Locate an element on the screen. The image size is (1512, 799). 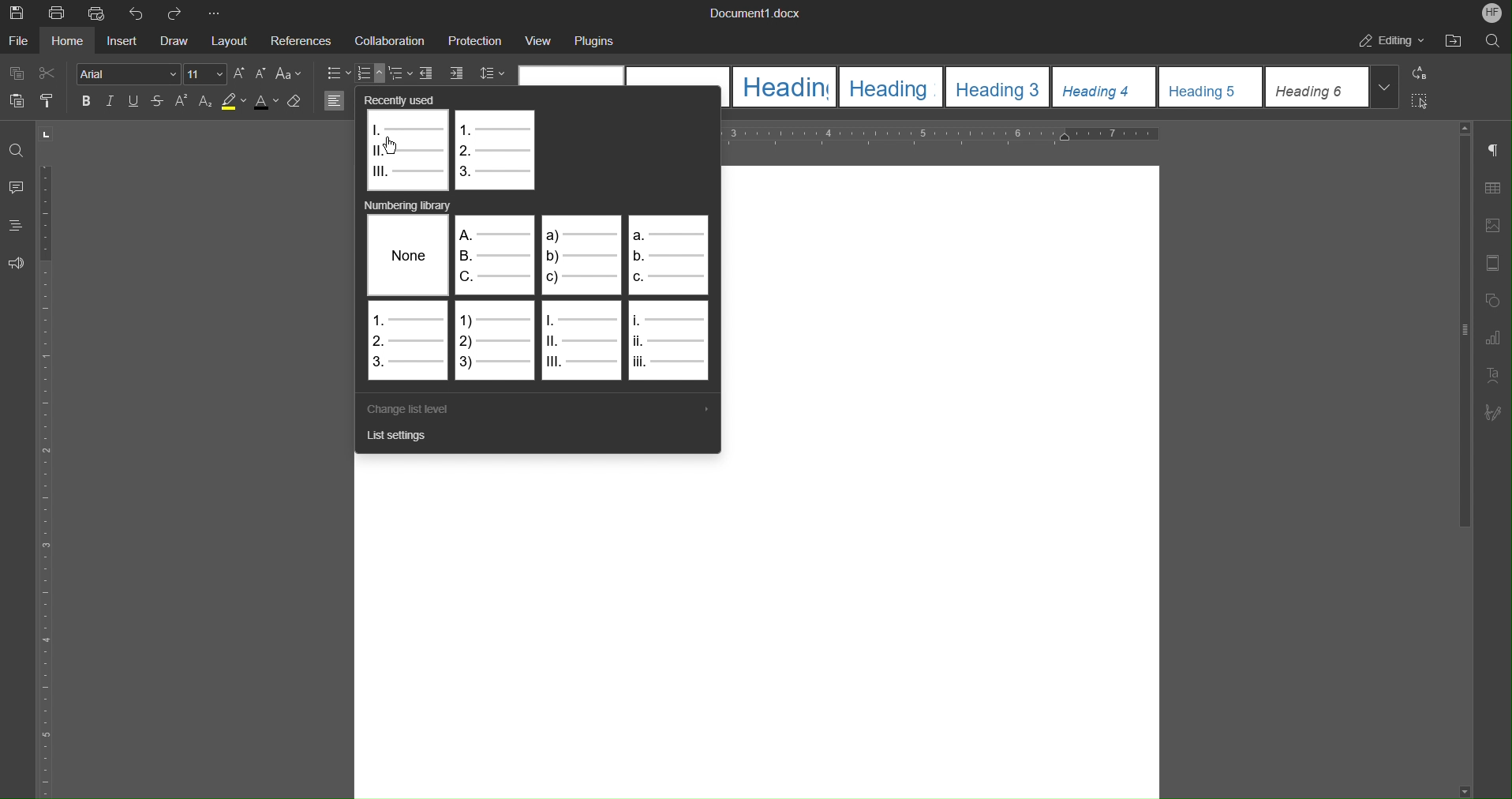
Font is located at coordinates (129, 74).